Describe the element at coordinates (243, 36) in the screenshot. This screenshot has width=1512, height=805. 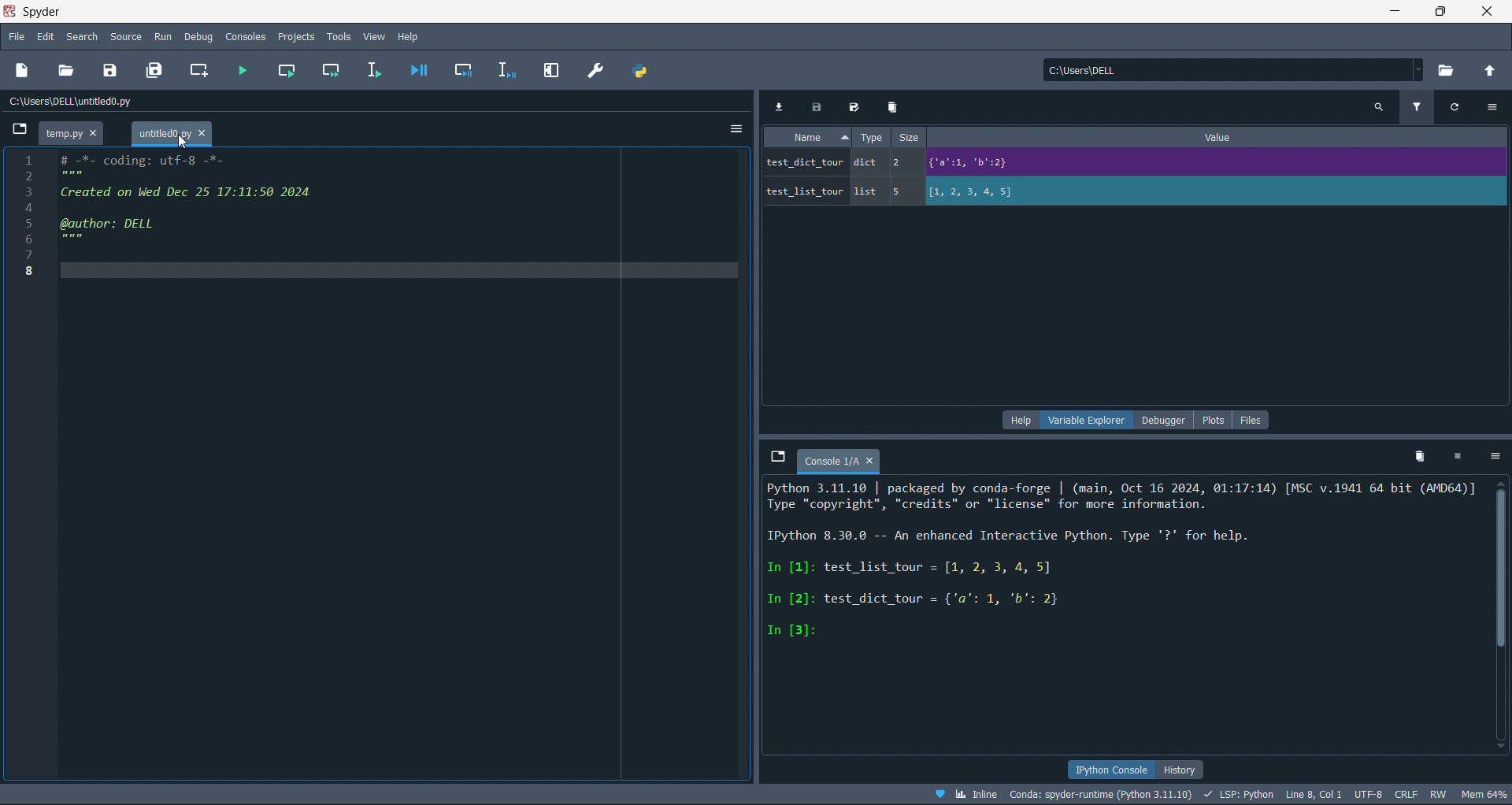
I see `consoles` at that location.